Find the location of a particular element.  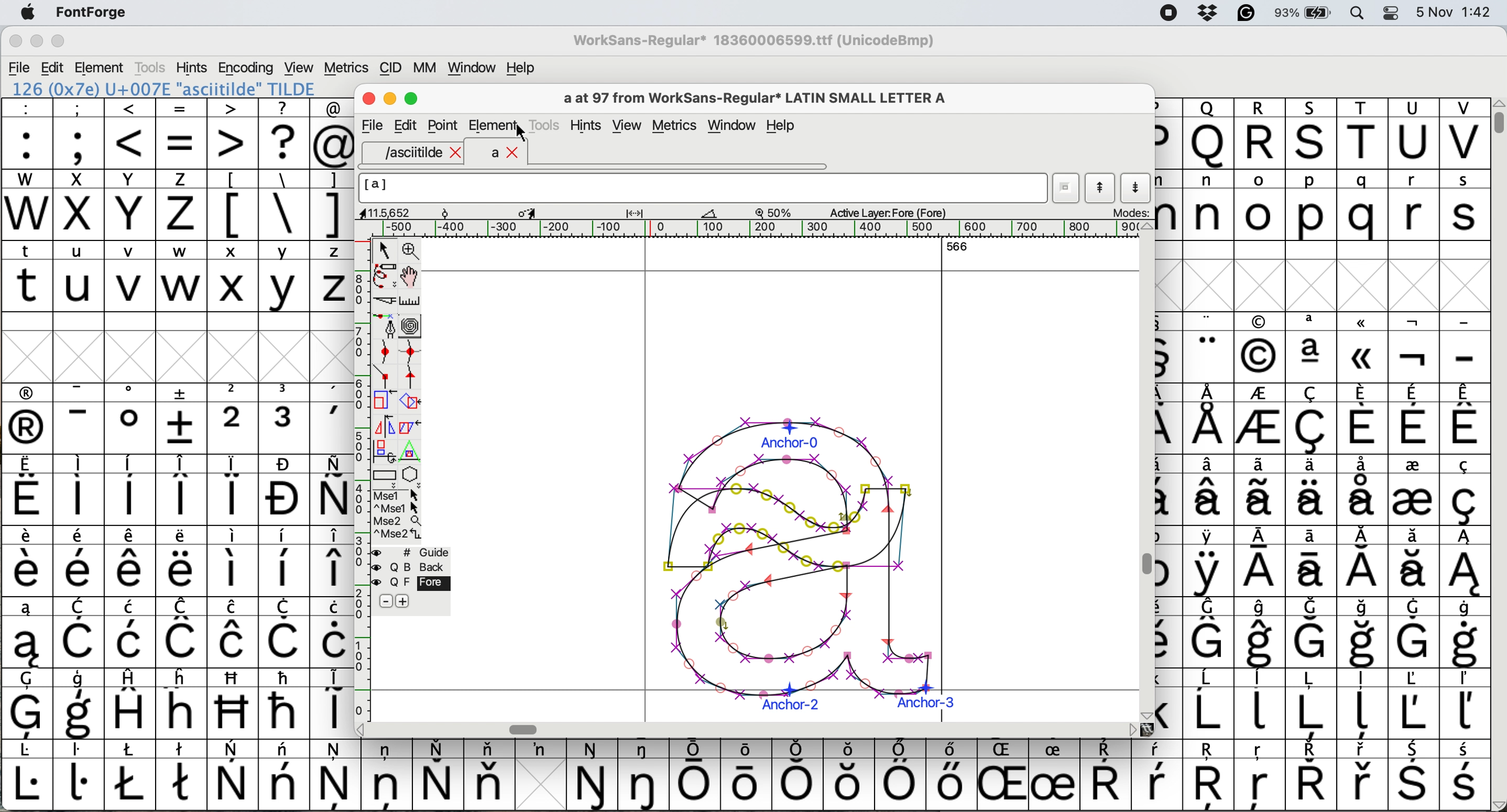

scroll button is located at coordinates (362, 728).